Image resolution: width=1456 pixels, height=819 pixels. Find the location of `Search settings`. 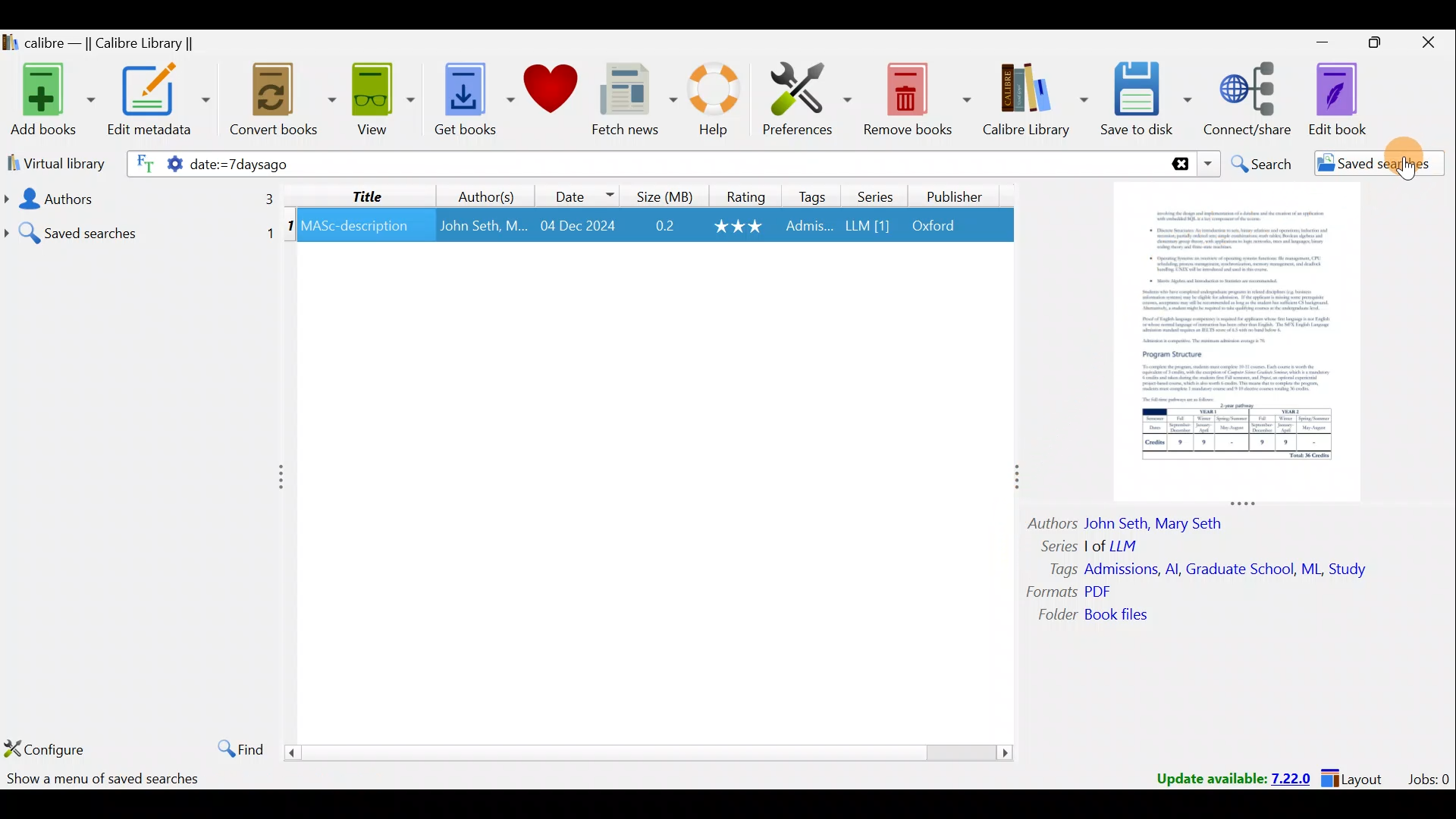

Search settings is located at coordinates (153, 166).